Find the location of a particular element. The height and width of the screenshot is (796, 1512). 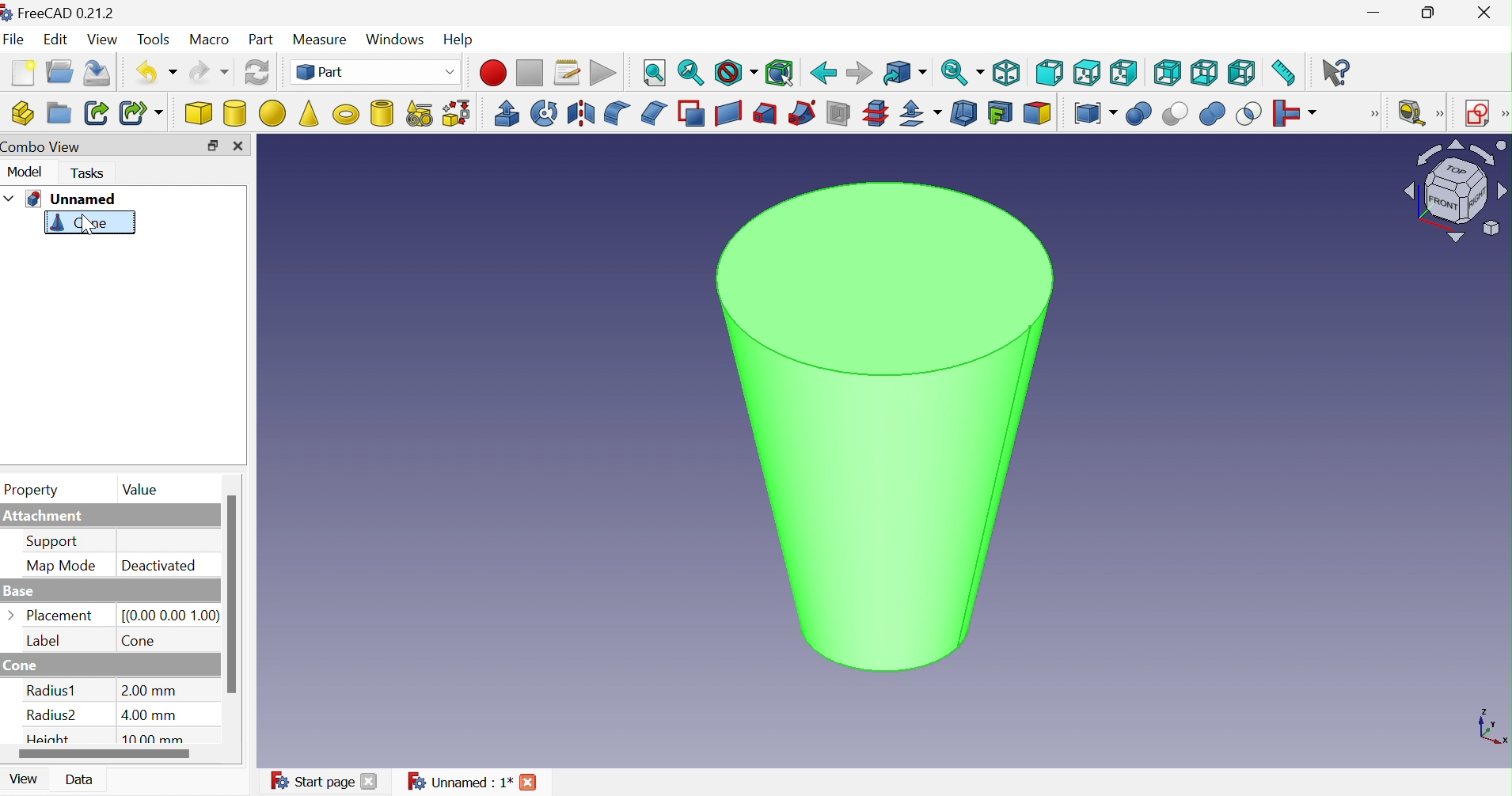

Value is located at coordinates (142, 490).